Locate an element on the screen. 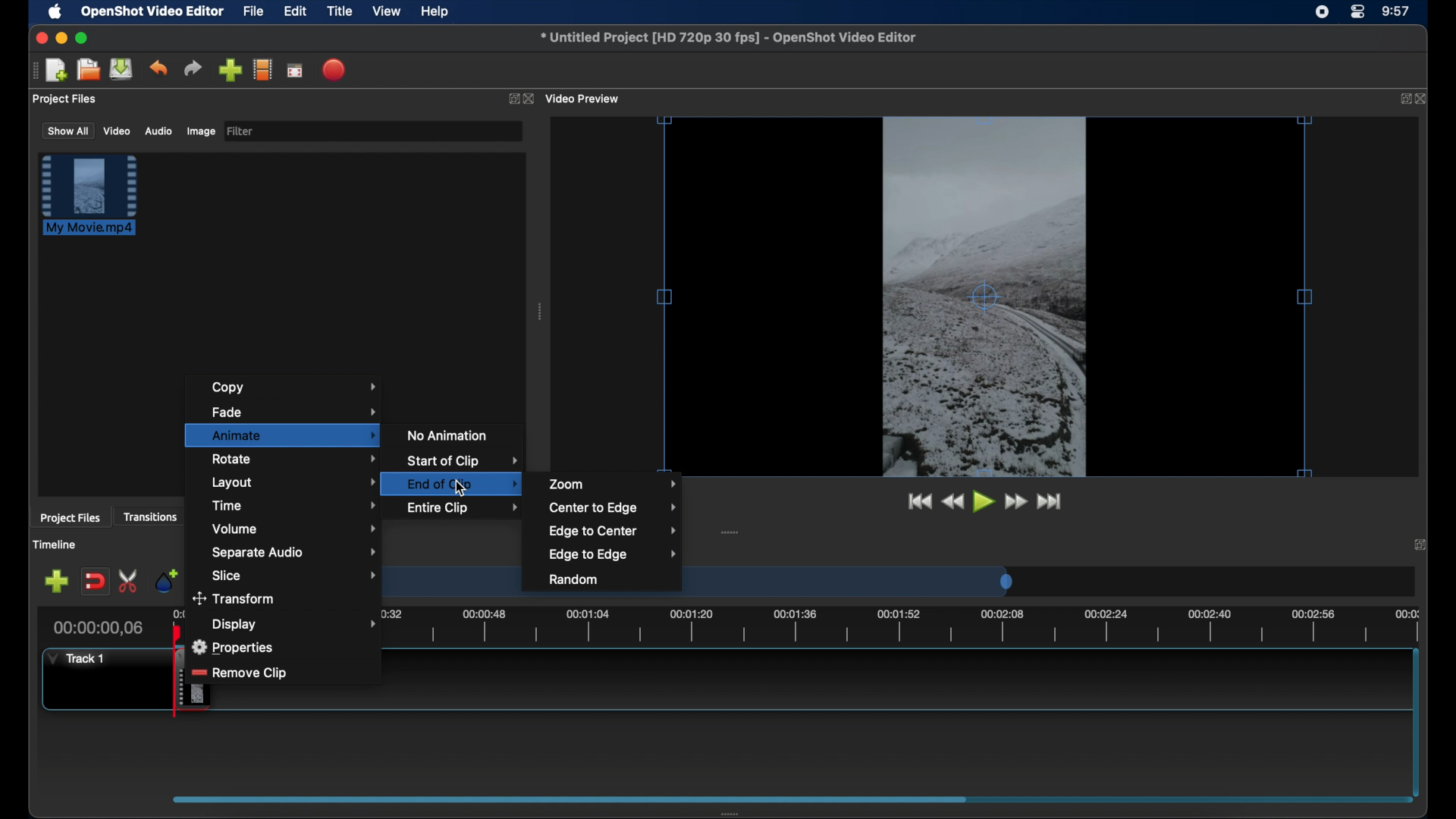 The image size is (1456, 819). save files is located at coordinates (123, 69).